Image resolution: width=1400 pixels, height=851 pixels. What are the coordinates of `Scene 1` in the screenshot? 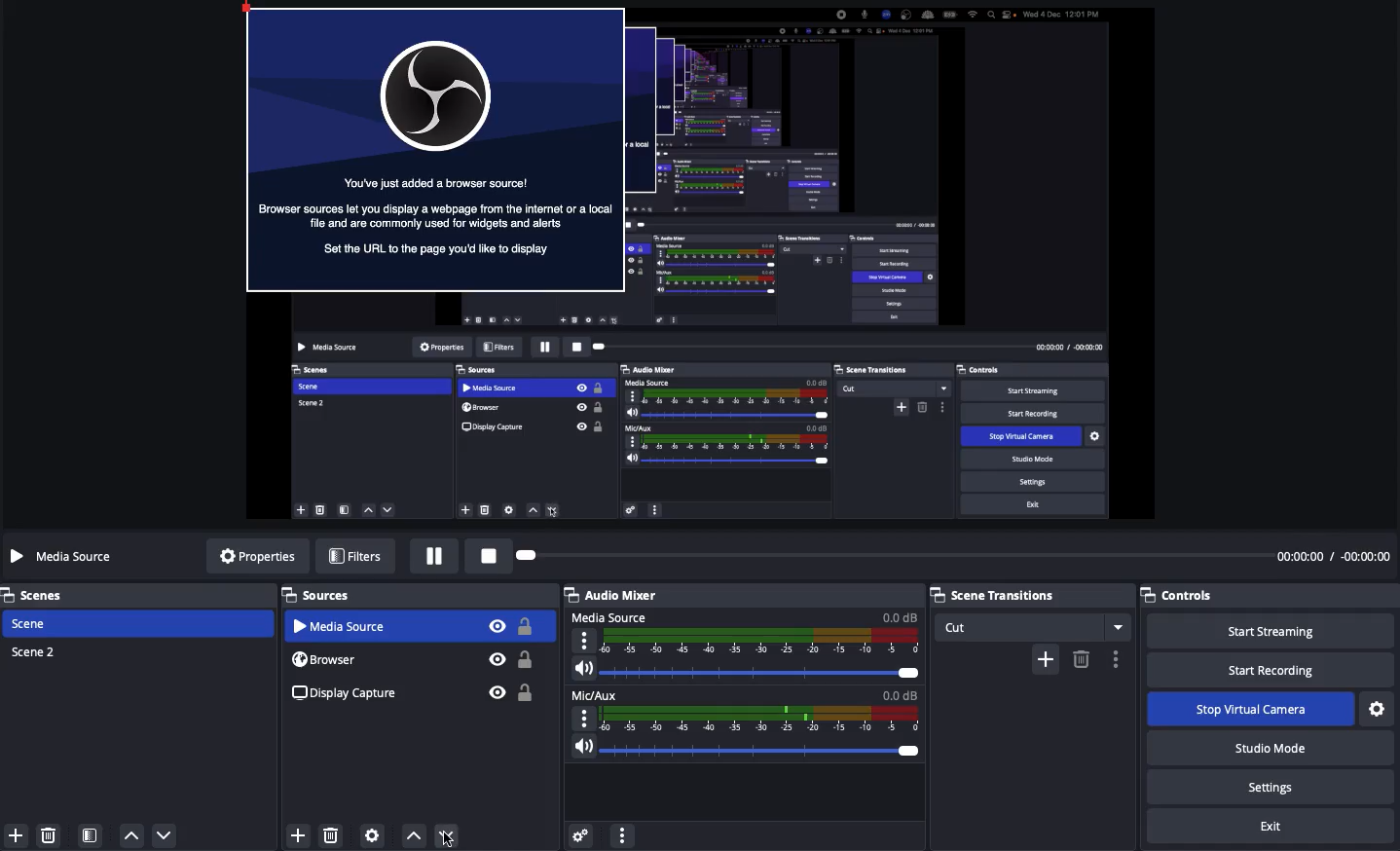 It's located at (29, 624).